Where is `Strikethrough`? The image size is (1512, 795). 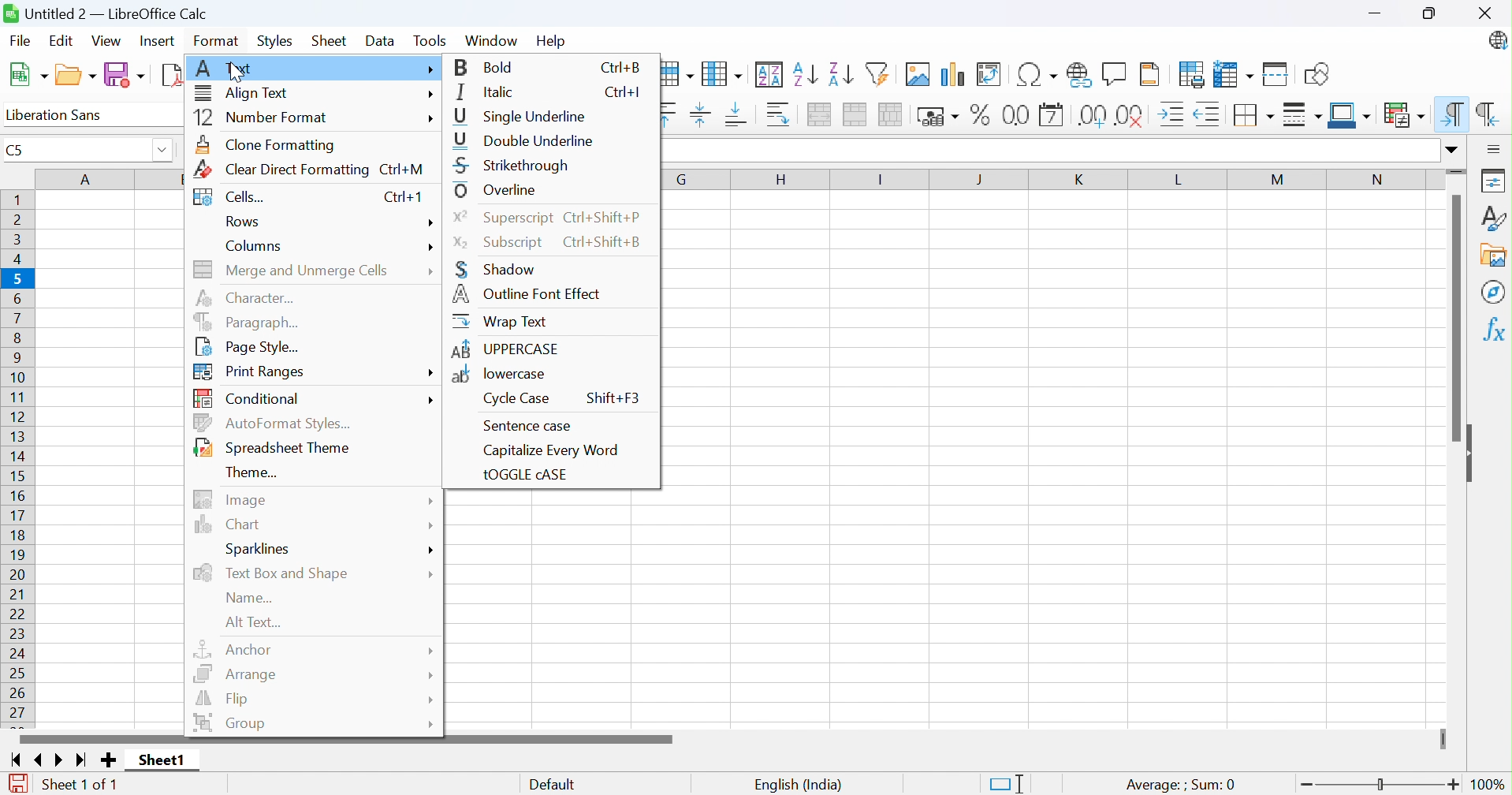 Strikethrough is located at coordinates (516, 166).